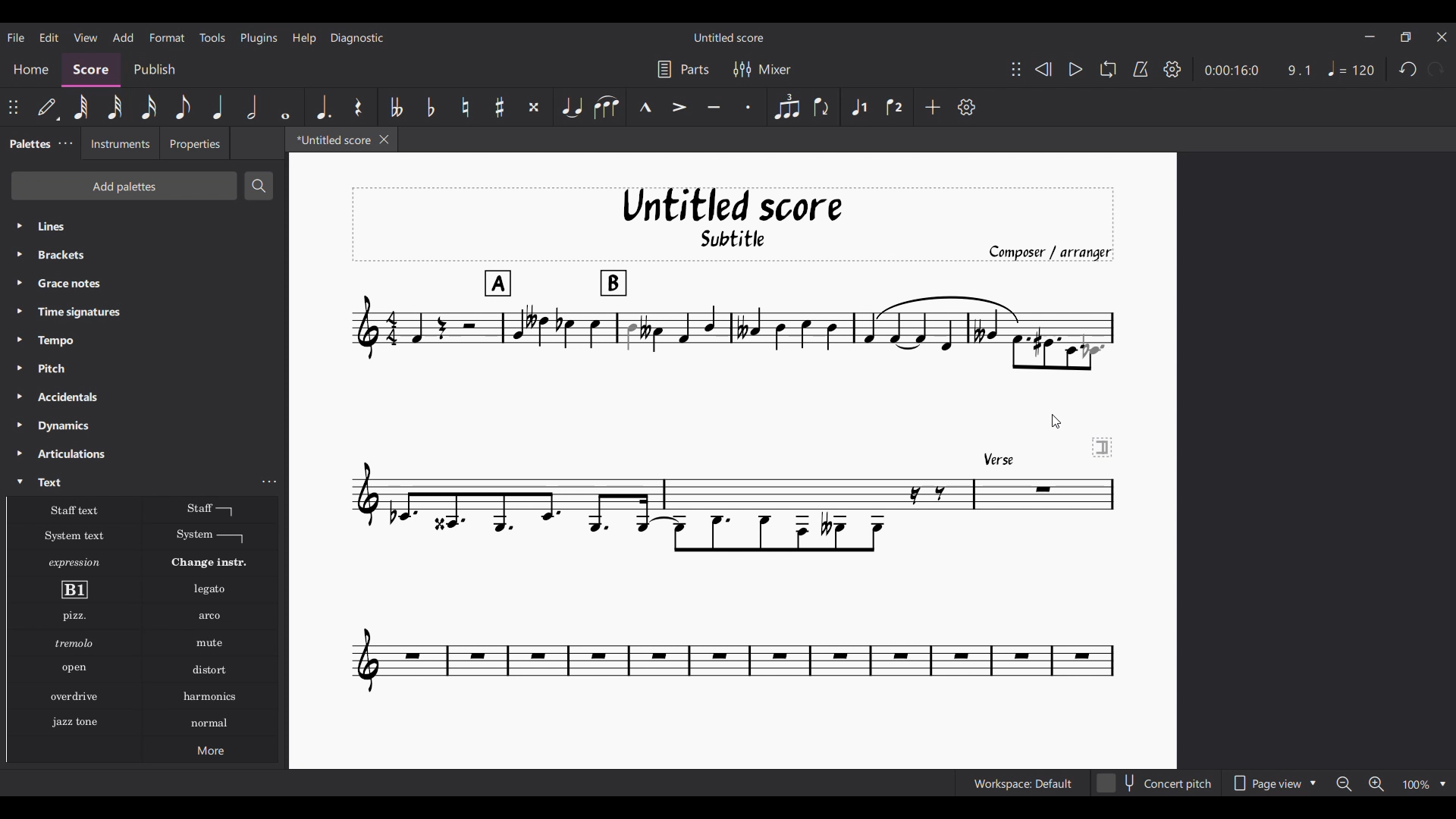  I want to click on Pitch, so click(144, 368).